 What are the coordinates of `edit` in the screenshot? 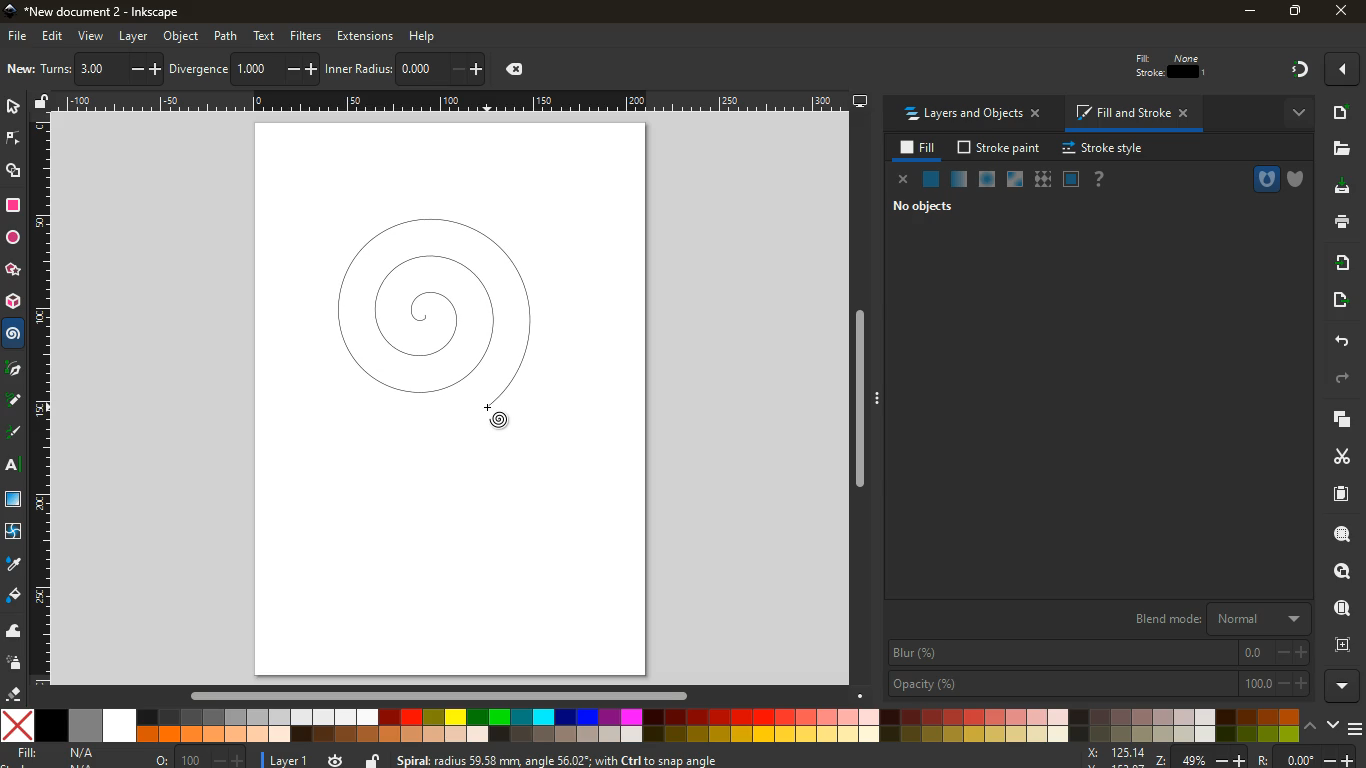 It's located at (52, 38).